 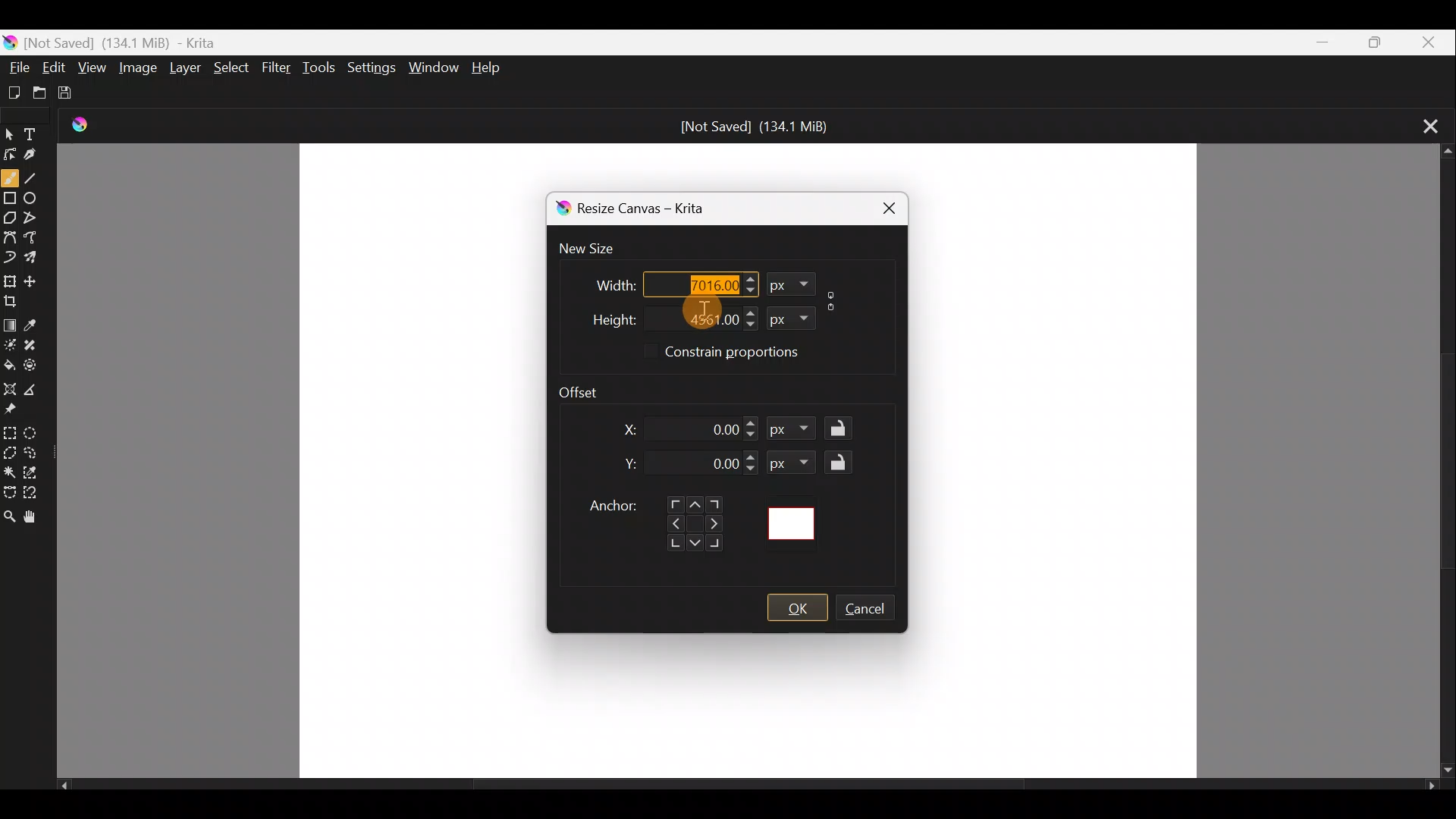 What do you see at coordinates (1441, 462) in the screenshot?
I see `Scroll bar` at bounding box center [1441, 462].